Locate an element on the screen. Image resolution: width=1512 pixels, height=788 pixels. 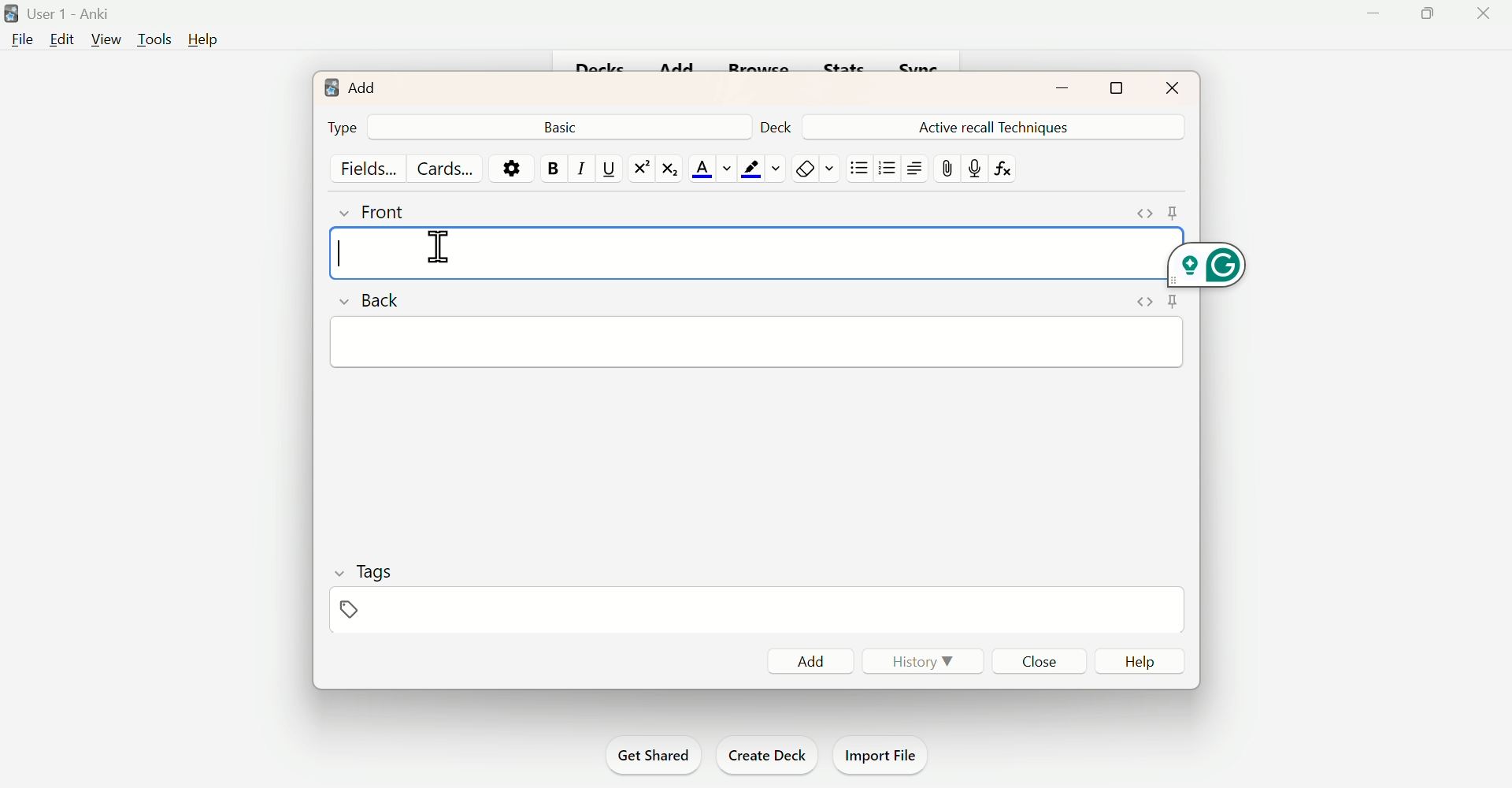
Text Color is located at coordinates (708, 167).